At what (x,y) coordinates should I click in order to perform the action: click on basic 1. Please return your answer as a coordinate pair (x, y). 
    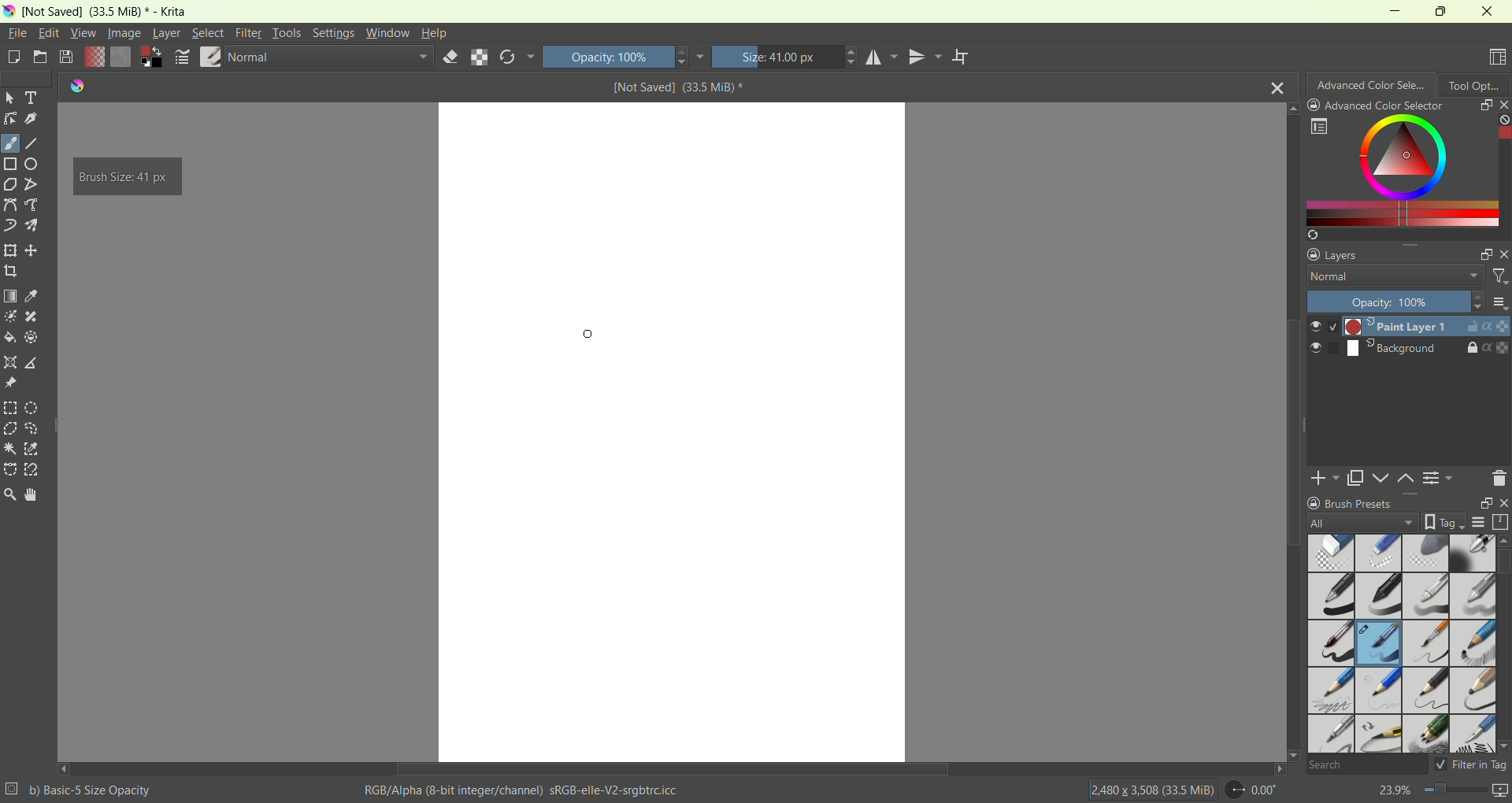
    Looking at the image, I should click on (1335, 594).